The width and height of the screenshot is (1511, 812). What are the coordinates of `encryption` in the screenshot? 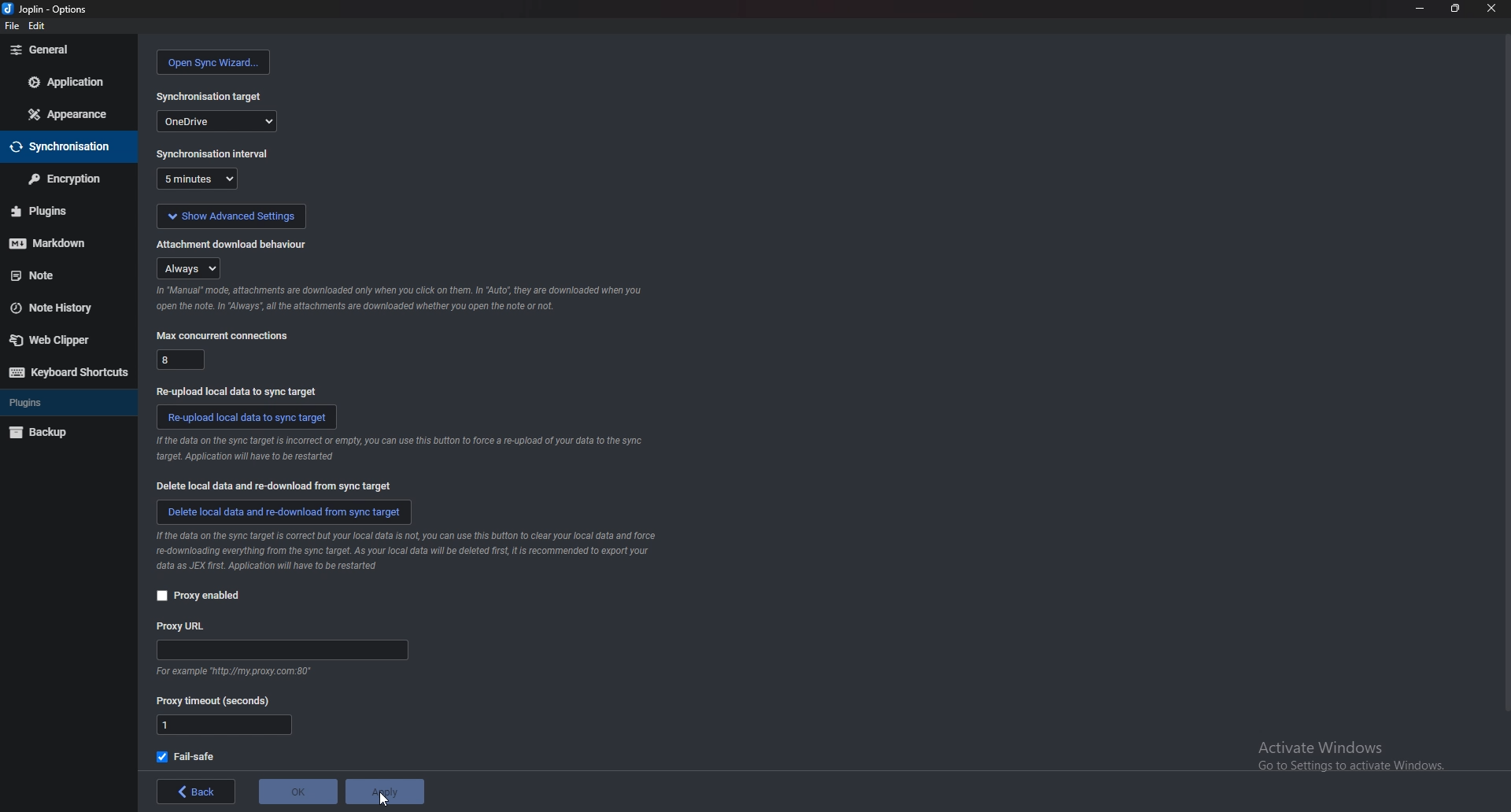 It's located at (68, 178).